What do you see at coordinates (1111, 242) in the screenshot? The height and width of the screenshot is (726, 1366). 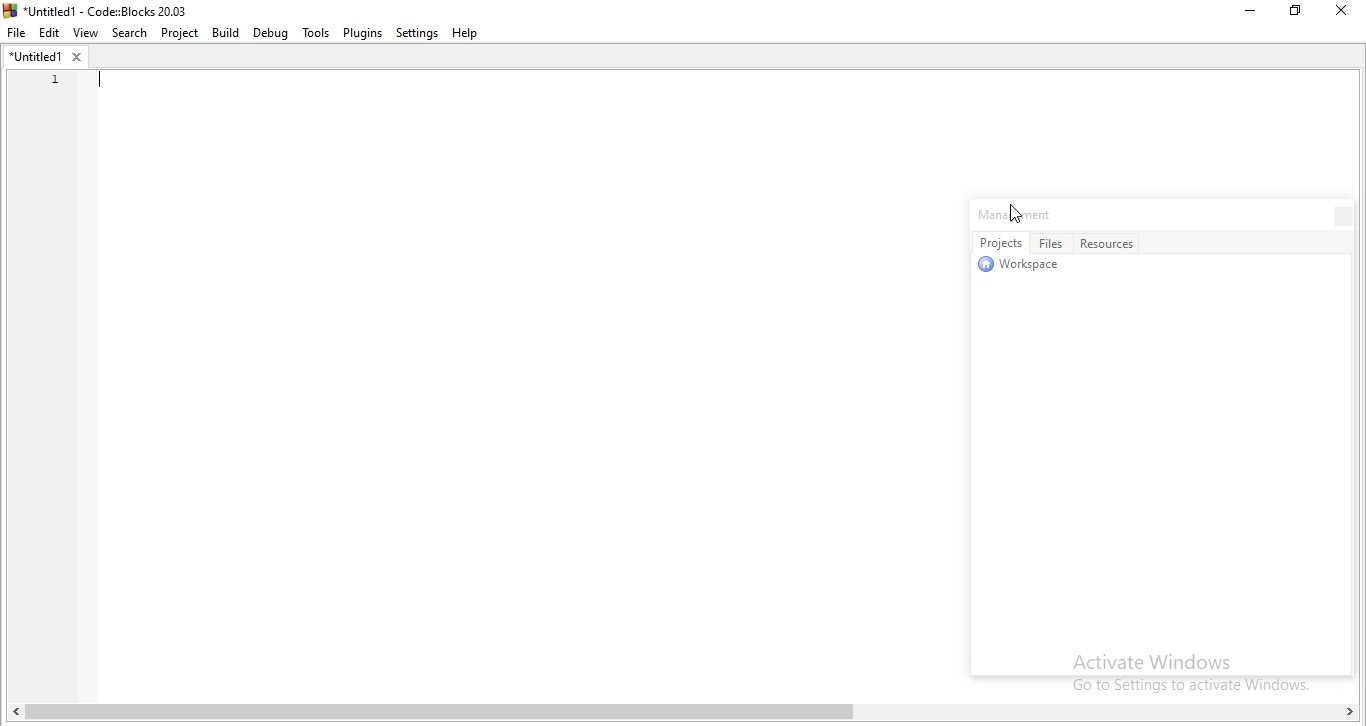 I see `resources` at bounding box center [1111, 242].